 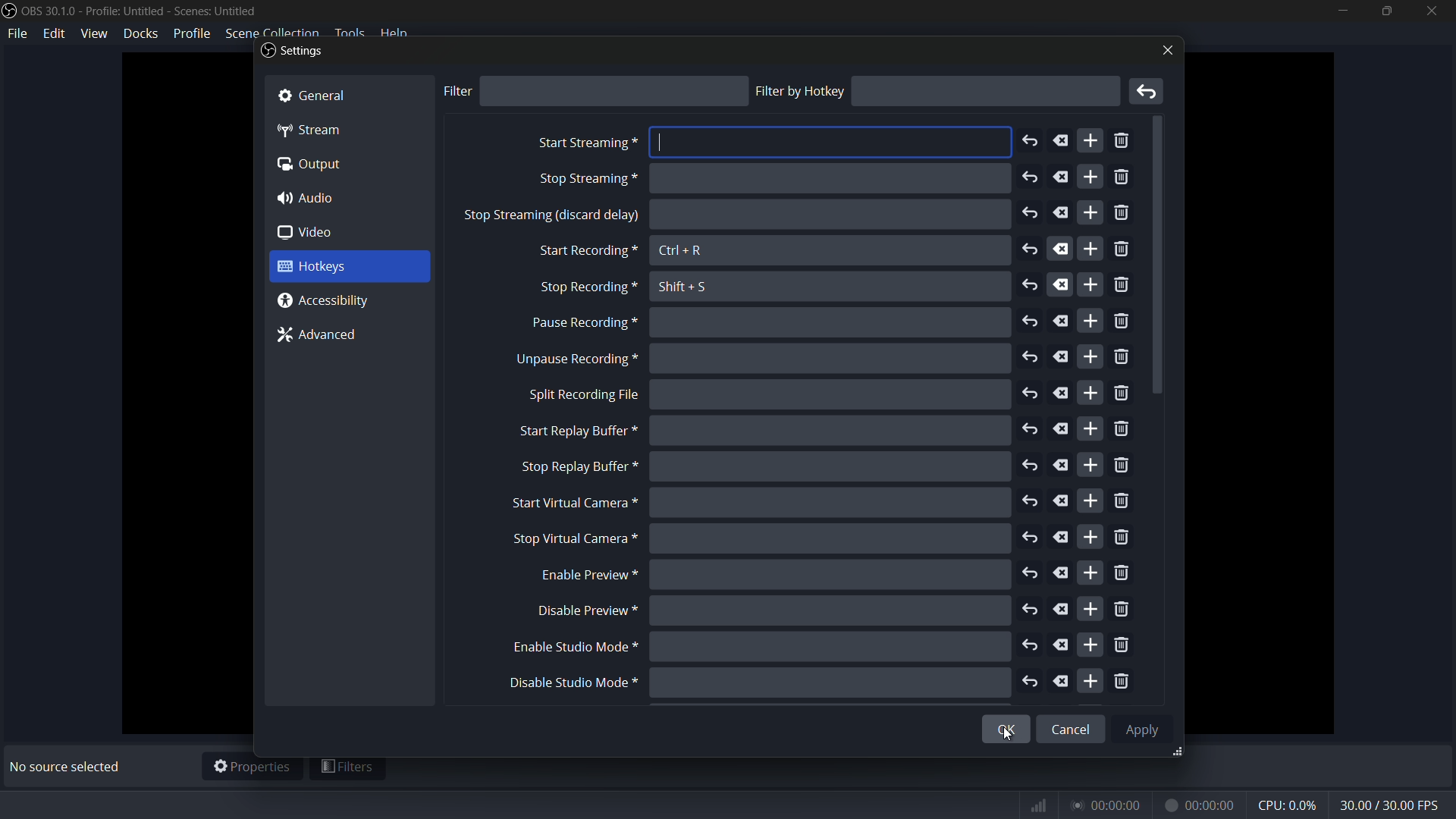 I want to click on add more, so click(x=1090, y=142).